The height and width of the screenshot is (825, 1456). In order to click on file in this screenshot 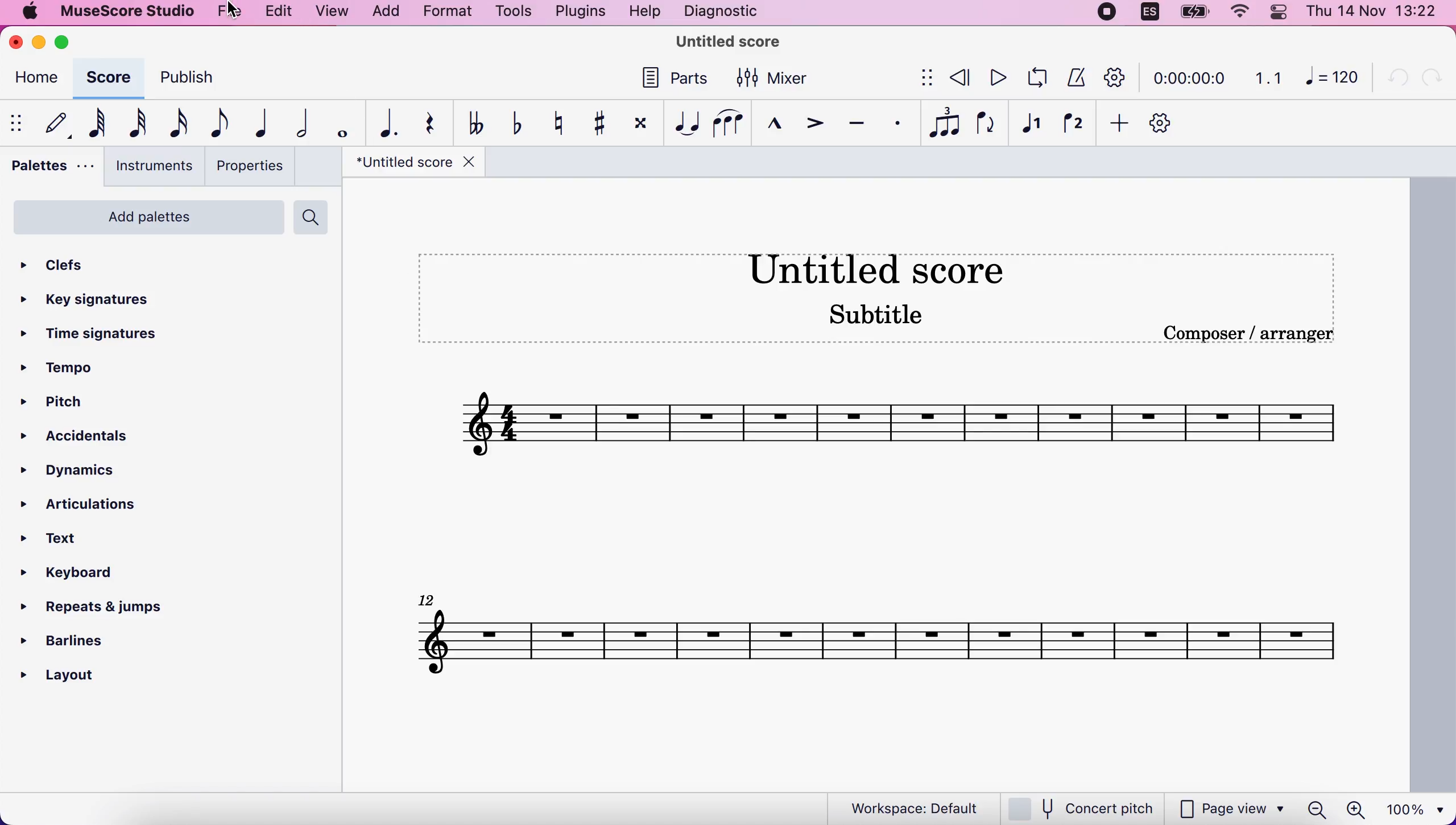, I will do `click(226, 13)`.